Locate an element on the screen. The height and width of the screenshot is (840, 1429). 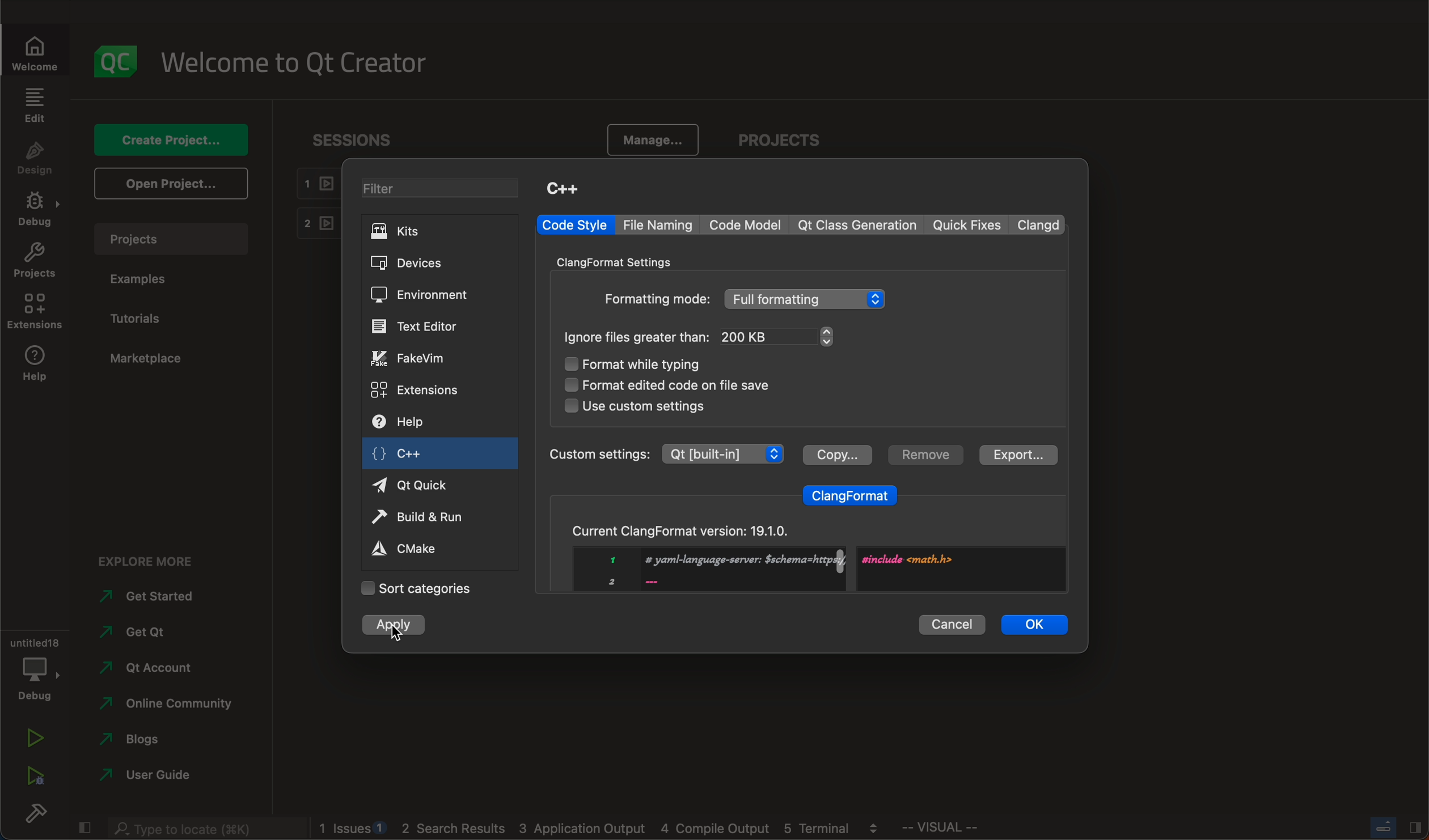
200 KB is located at coordinates (778, 336).